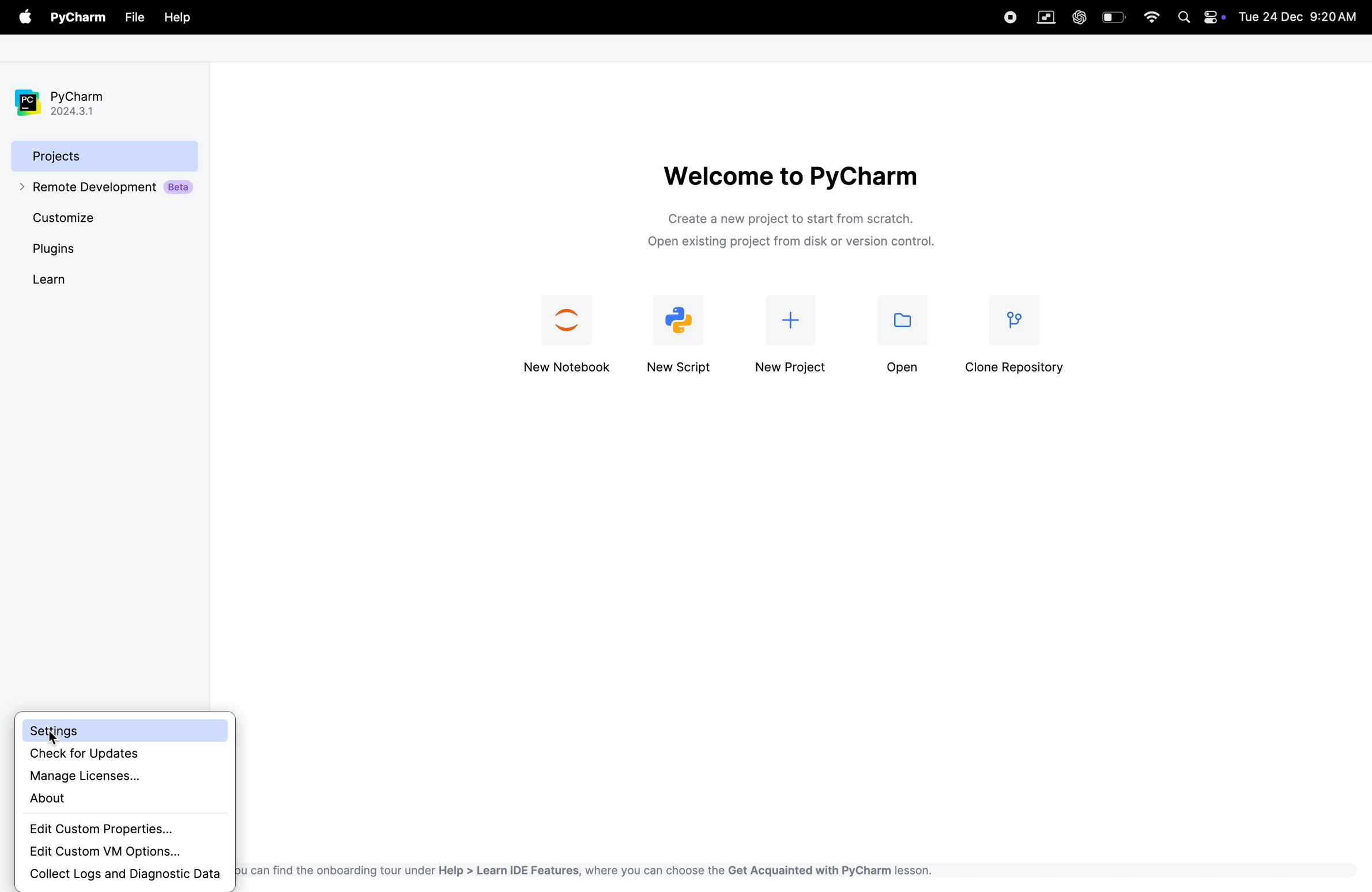 Image resolution: width=1372 pixels, height=892 pixels. Describe the element at coordinates (81, 18) in the screenshot. I see `pycharm` at that location.